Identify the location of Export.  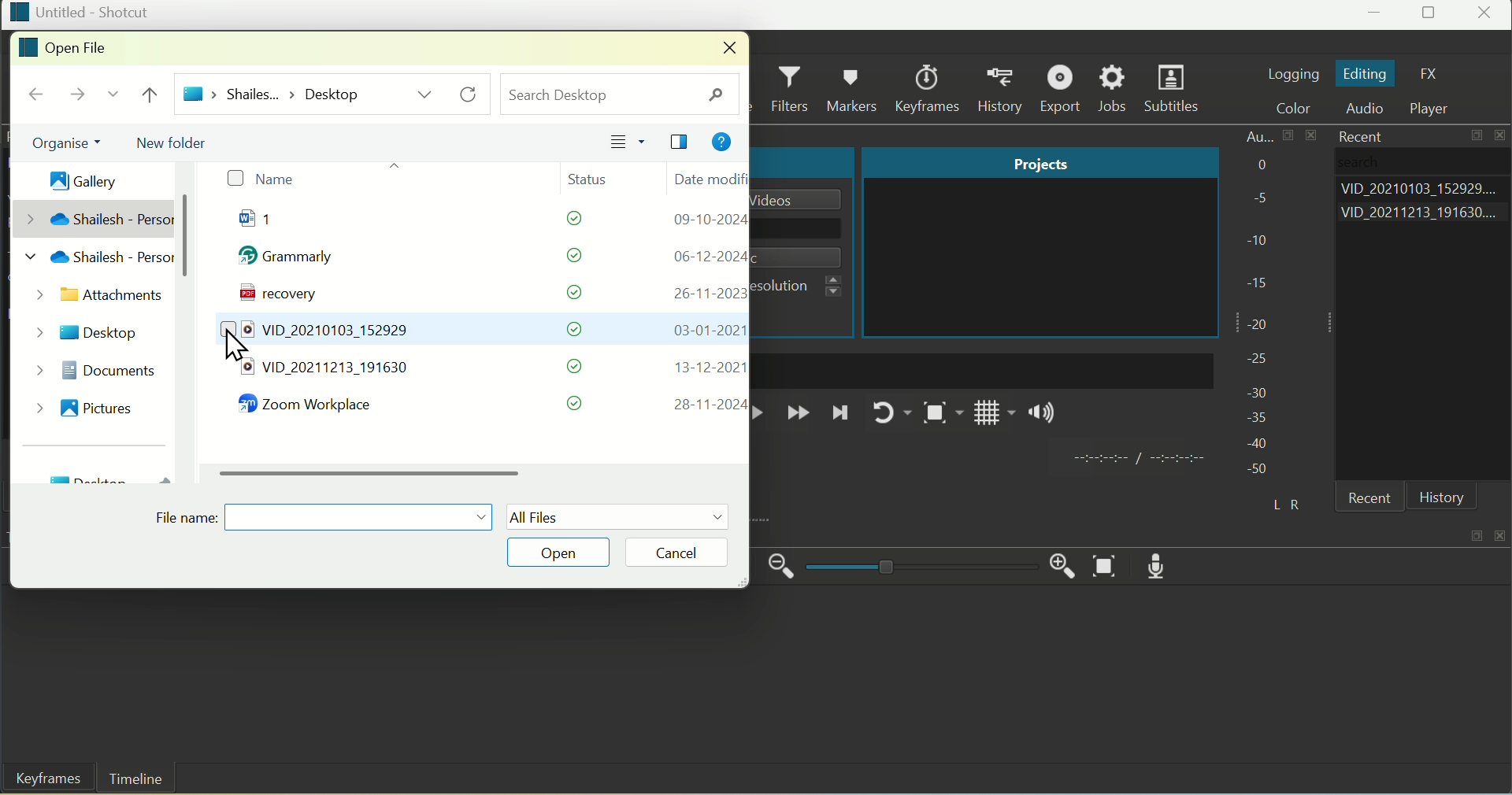
(1063, 88).